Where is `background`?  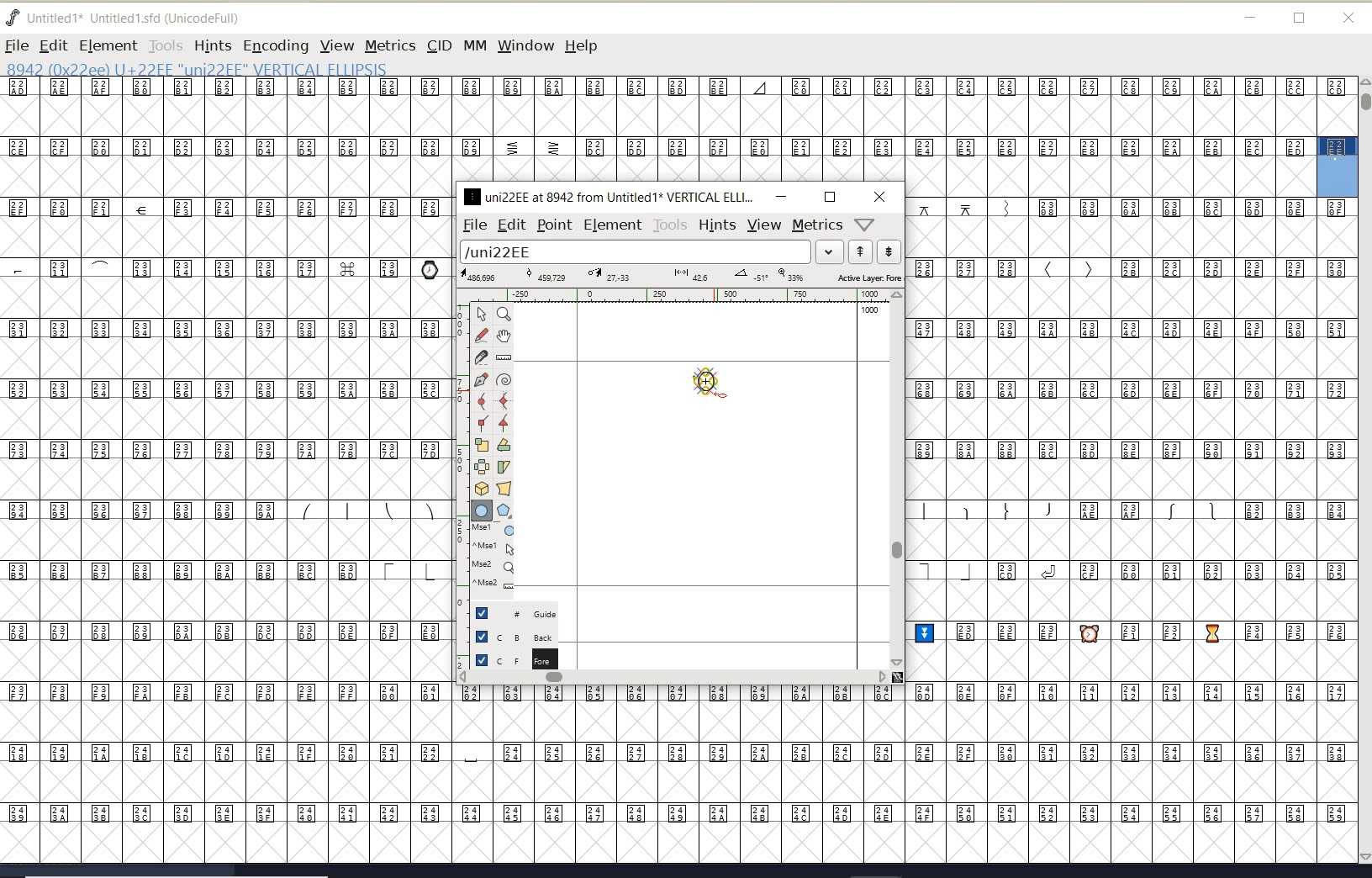
background is located at coordinates (517, 636).